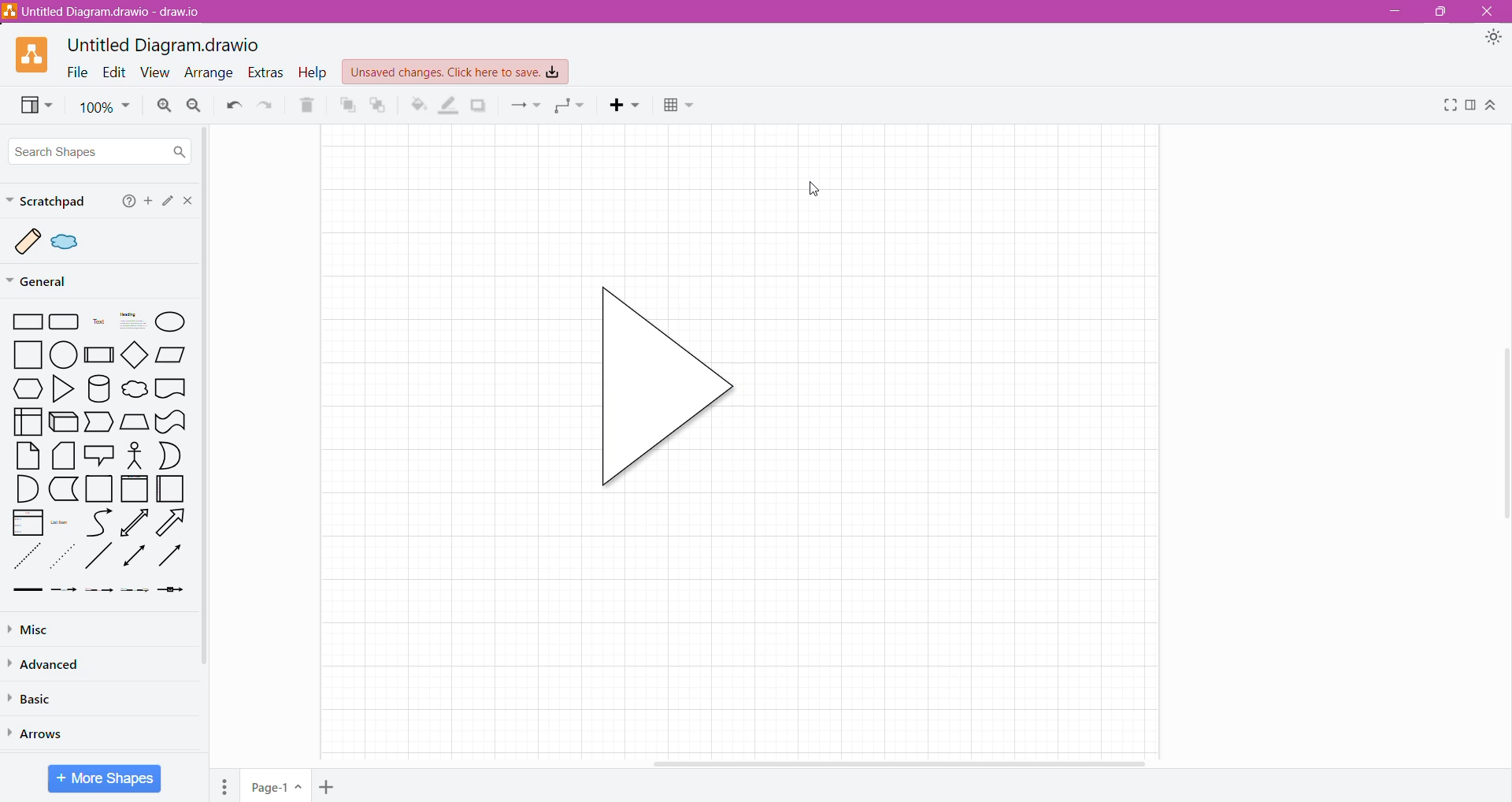 This screenshot has height=802, width=1512. I want to click on To Front, so click(346, 105).